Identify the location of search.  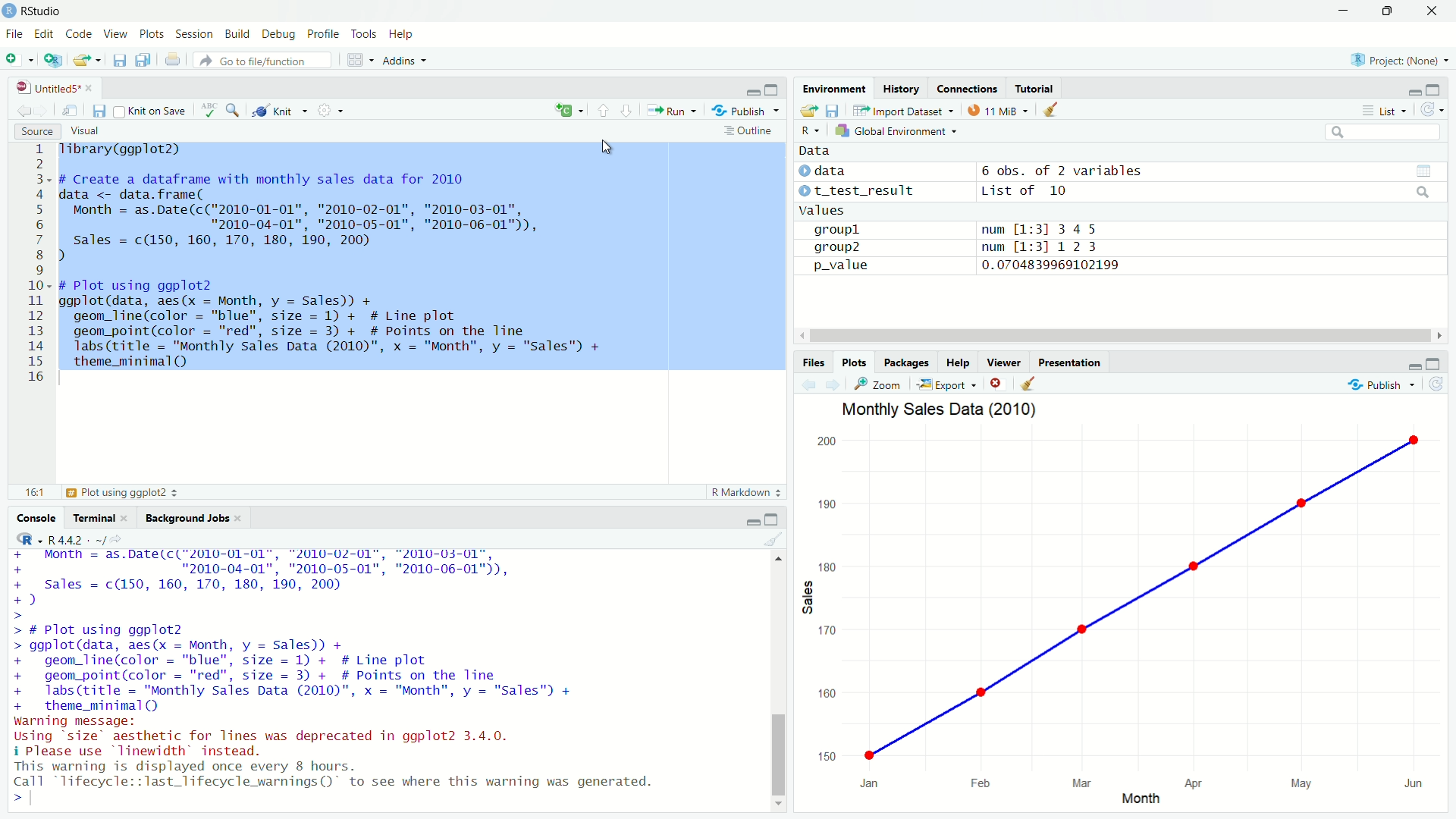
(234, 111).